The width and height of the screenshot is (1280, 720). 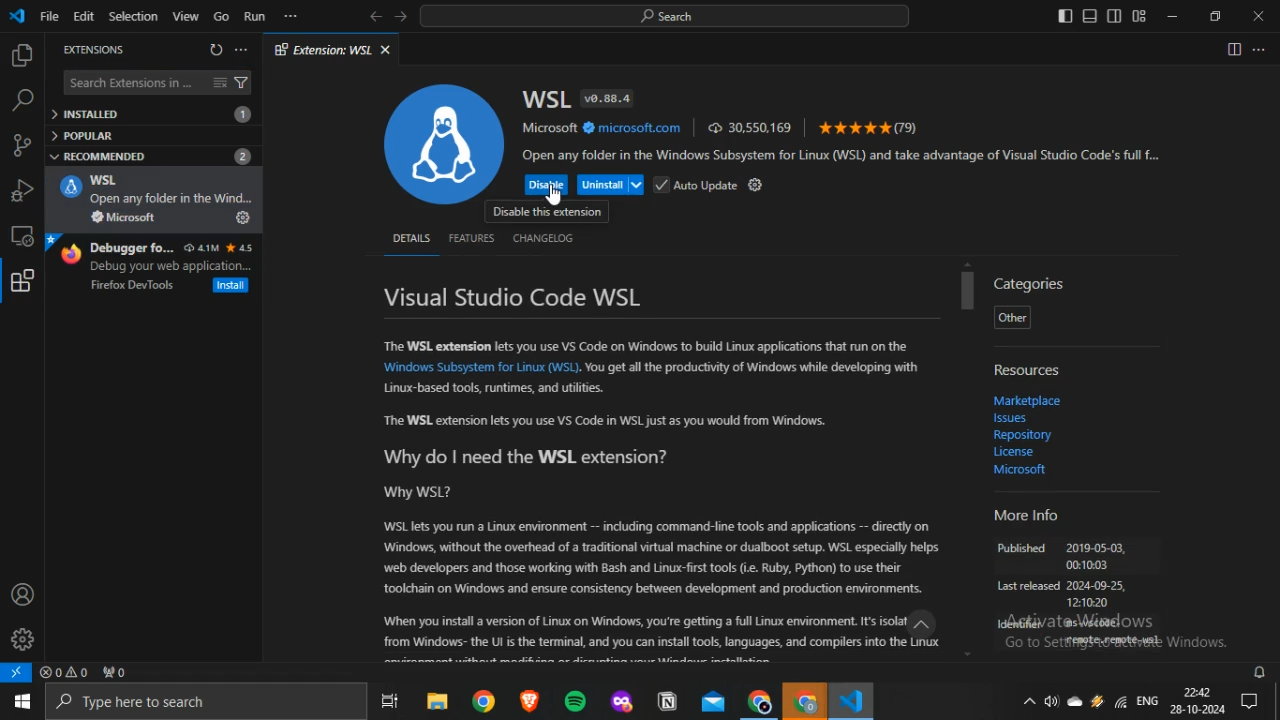 What do you see at coordinates (88, 135) in the screenshot?
I see `POPULAR` at bounding box center [88, 135].